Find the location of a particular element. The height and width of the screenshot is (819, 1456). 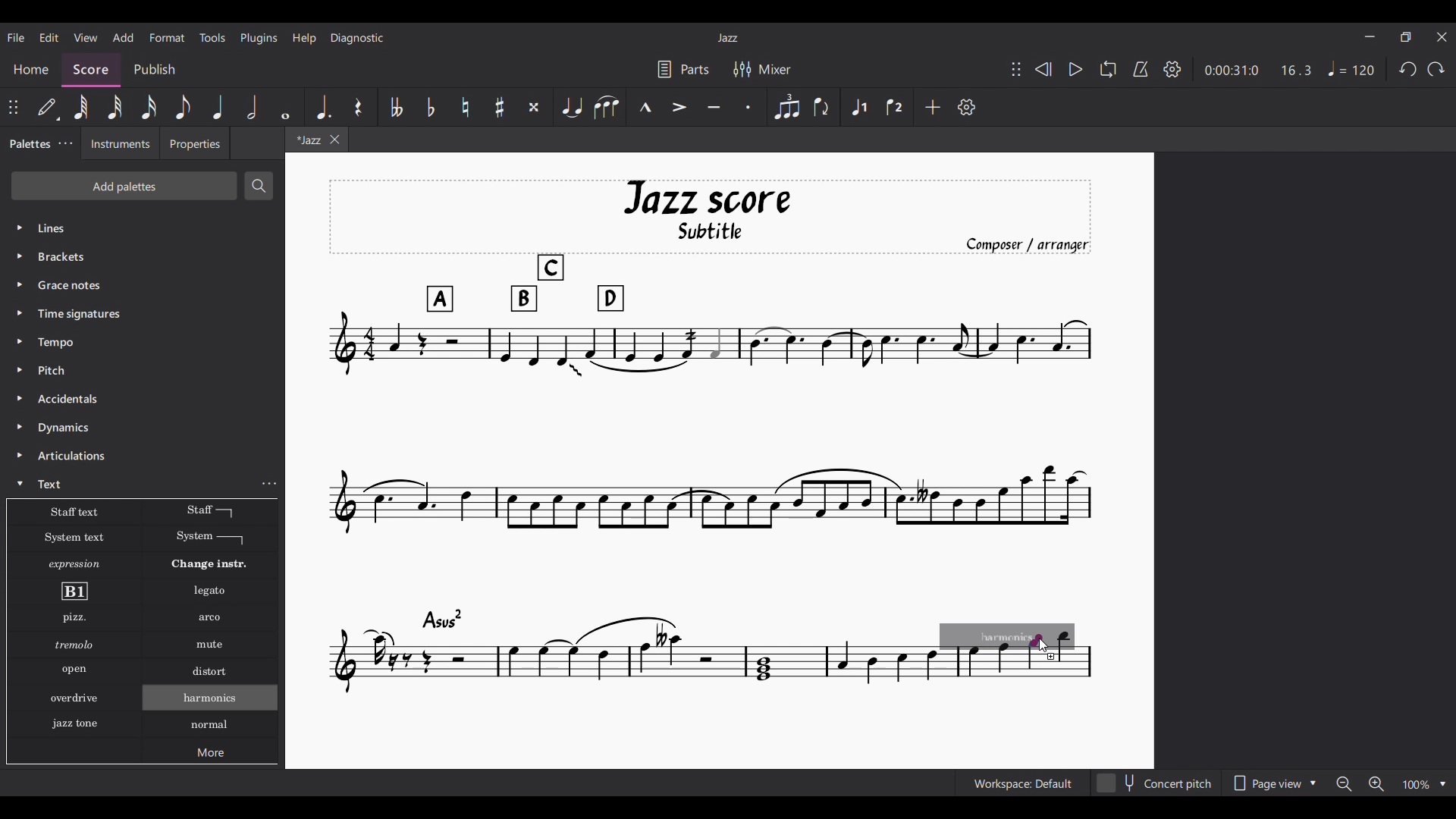

Tenuto is located at coordinates (714, 107).